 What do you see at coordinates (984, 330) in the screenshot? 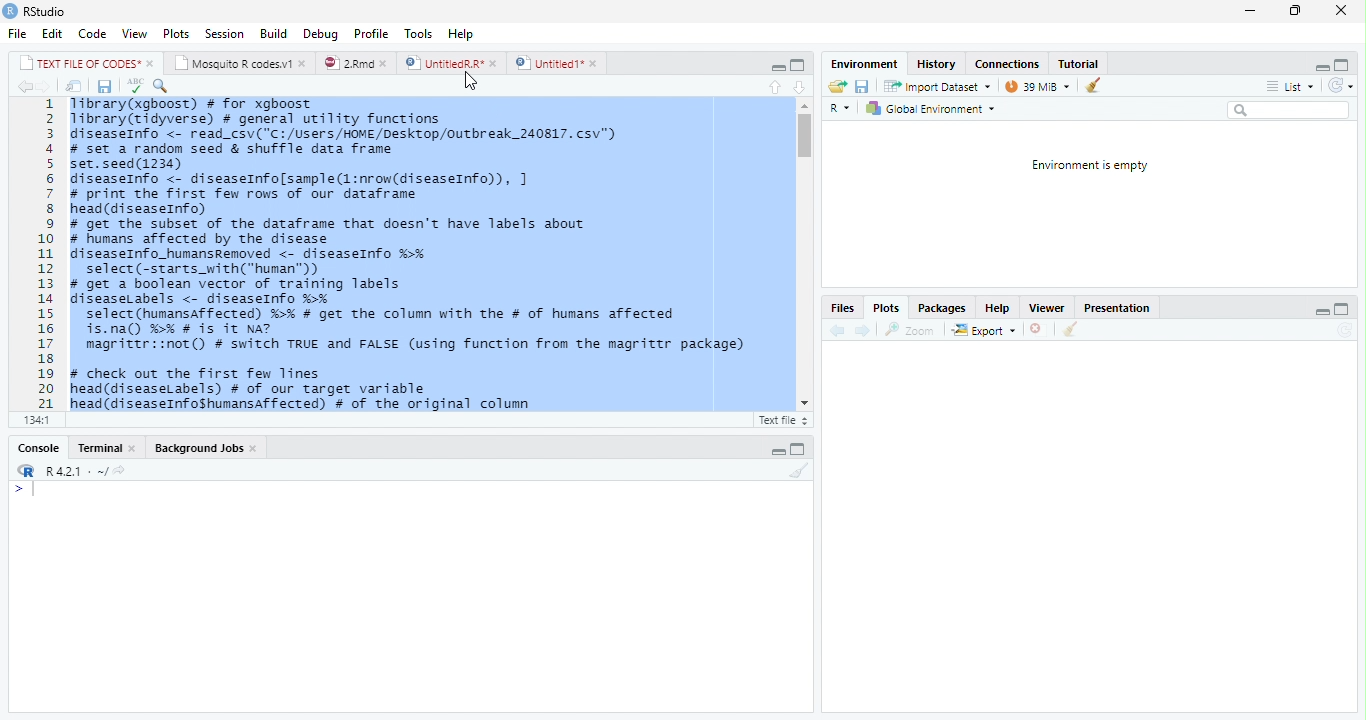
I see `Export` at bounding box center [984, 330].